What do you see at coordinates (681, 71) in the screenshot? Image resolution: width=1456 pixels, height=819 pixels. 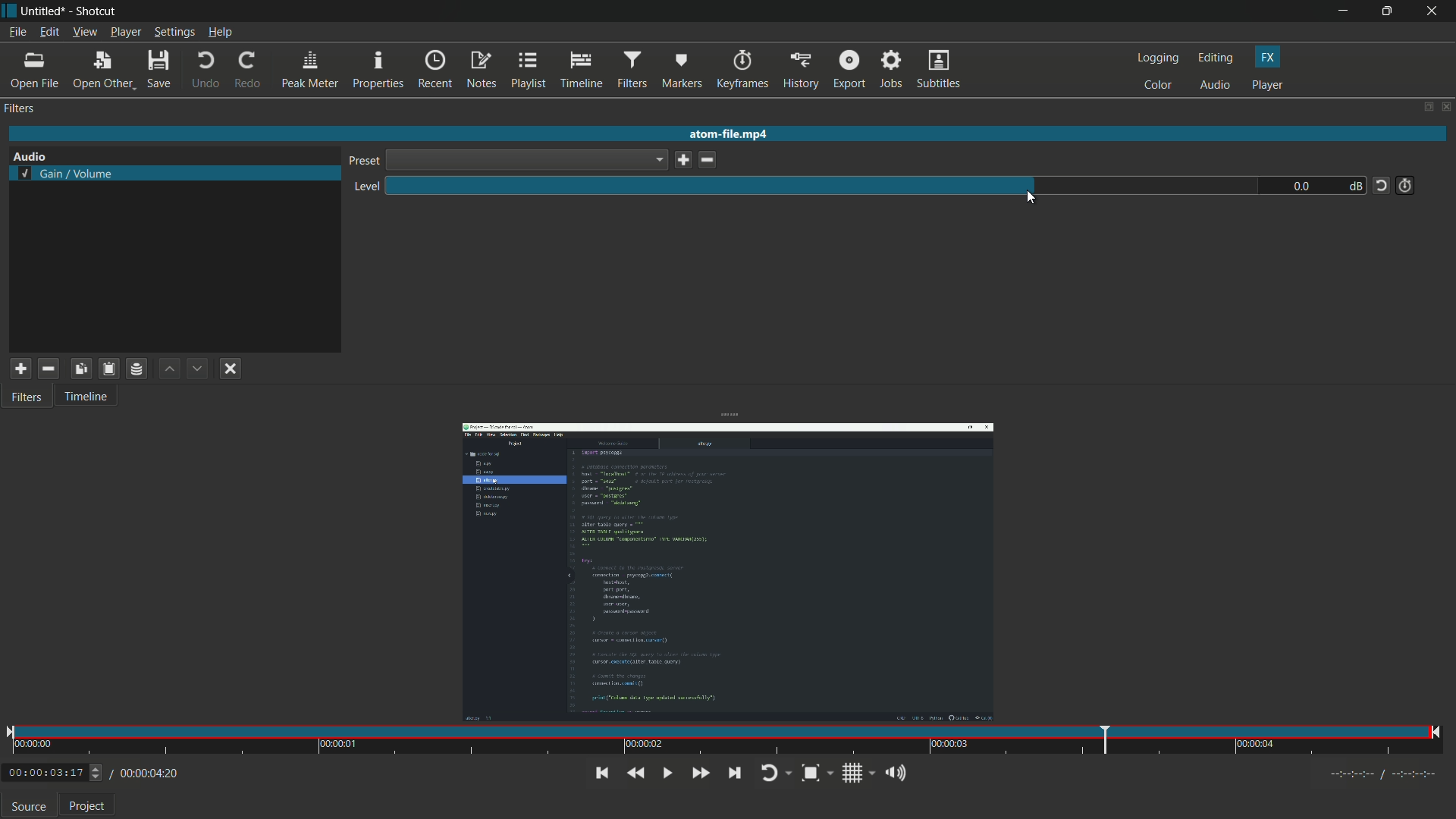 I see `markers` at bounding box center [681, 71].